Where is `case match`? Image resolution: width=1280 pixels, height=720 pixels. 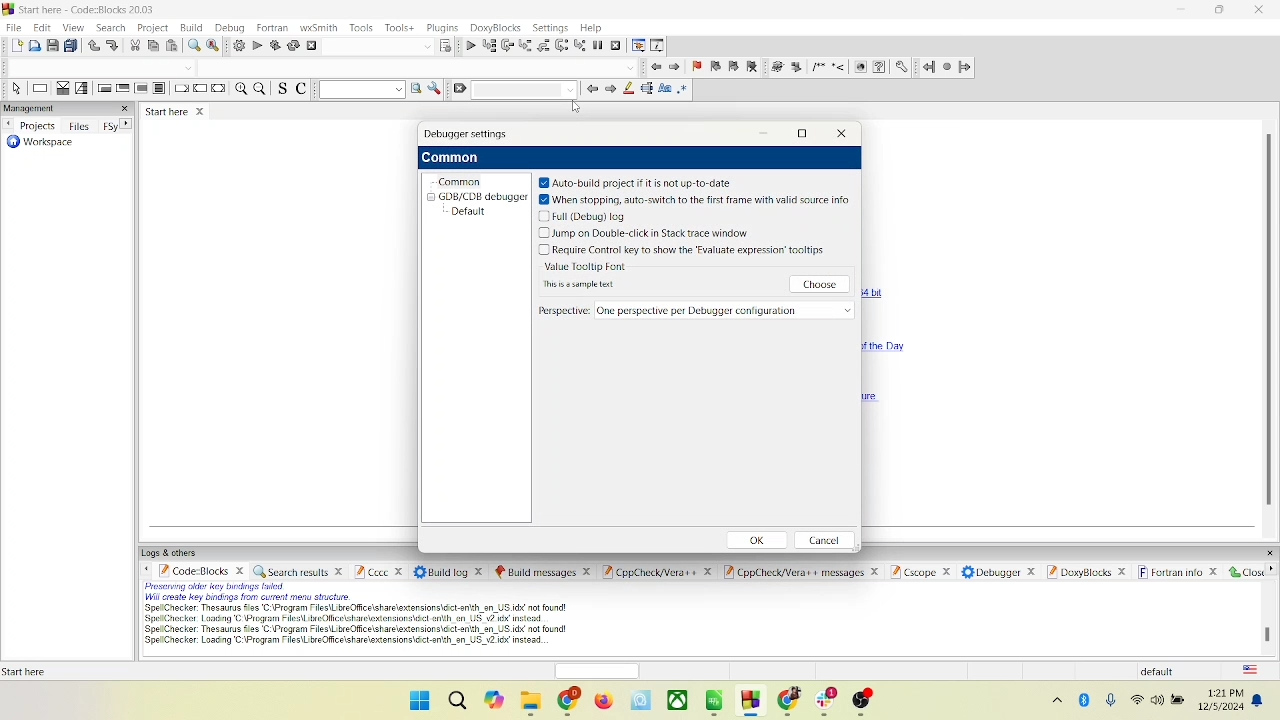
case match is located at coordinates (666, 89).